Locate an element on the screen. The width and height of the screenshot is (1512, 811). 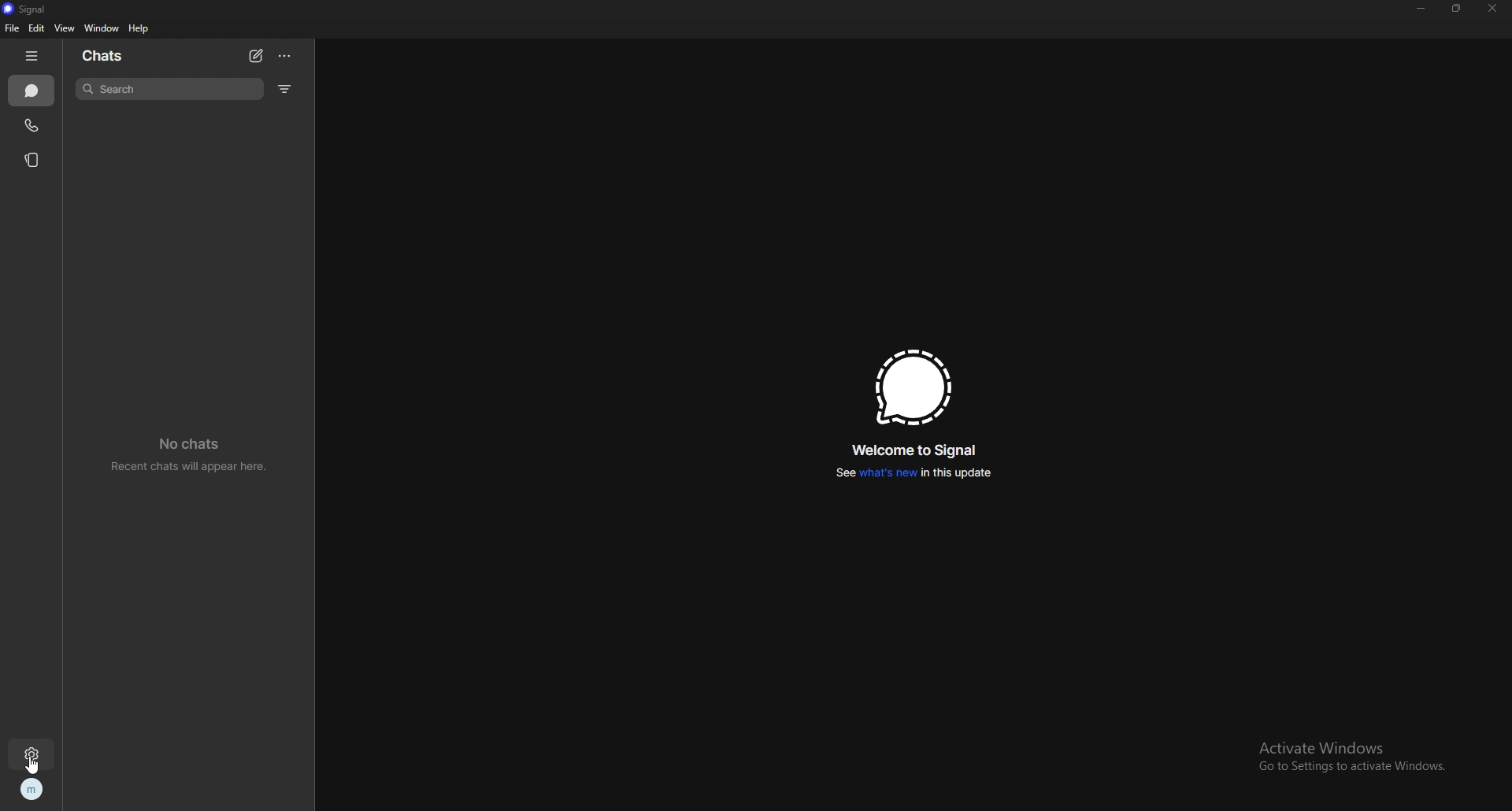
new chat is located at coordinates (256, 57).